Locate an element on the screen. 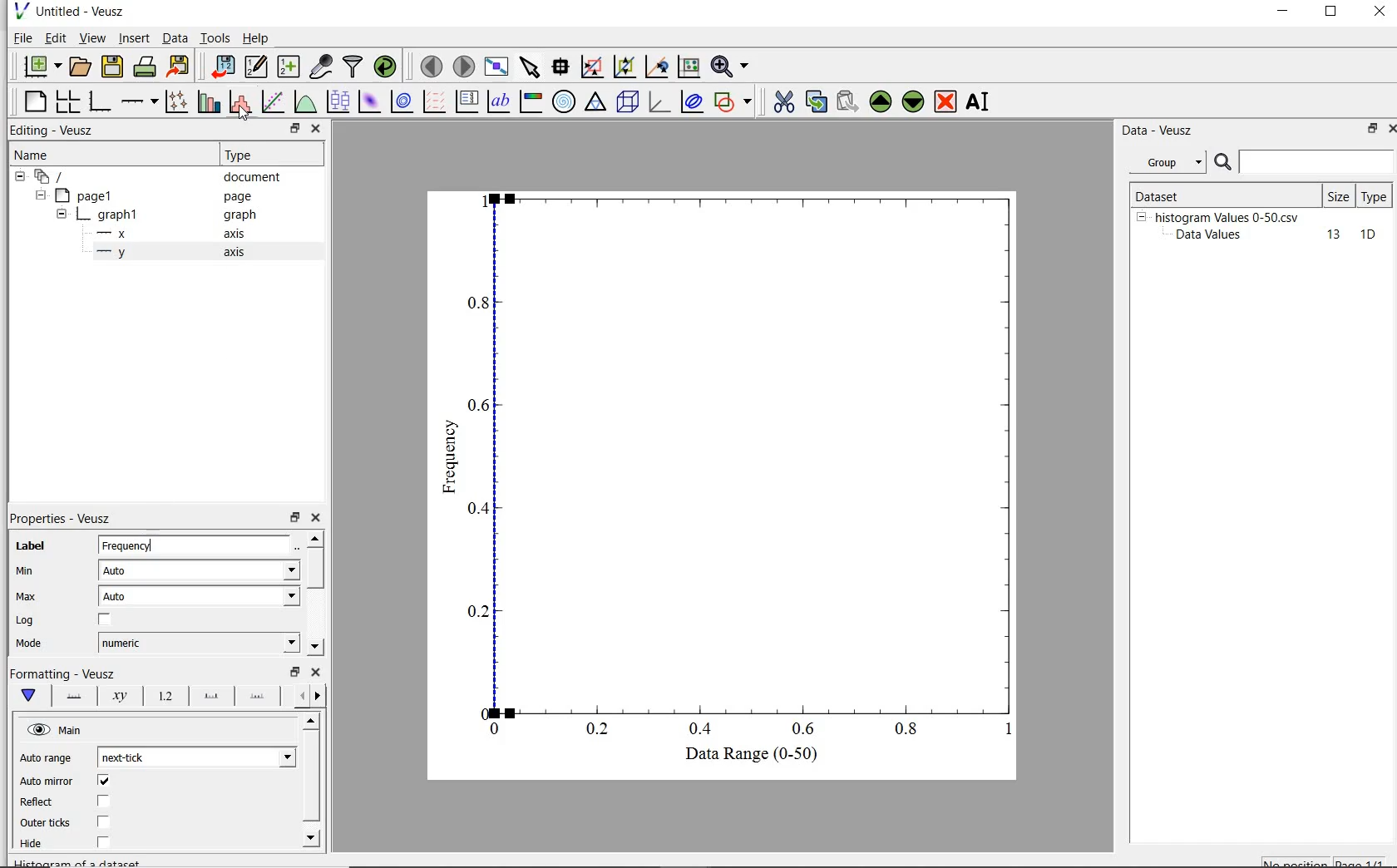 The width and height of the screenshot is (1397, 868). capture remote data is located at coordinates (321, 67).